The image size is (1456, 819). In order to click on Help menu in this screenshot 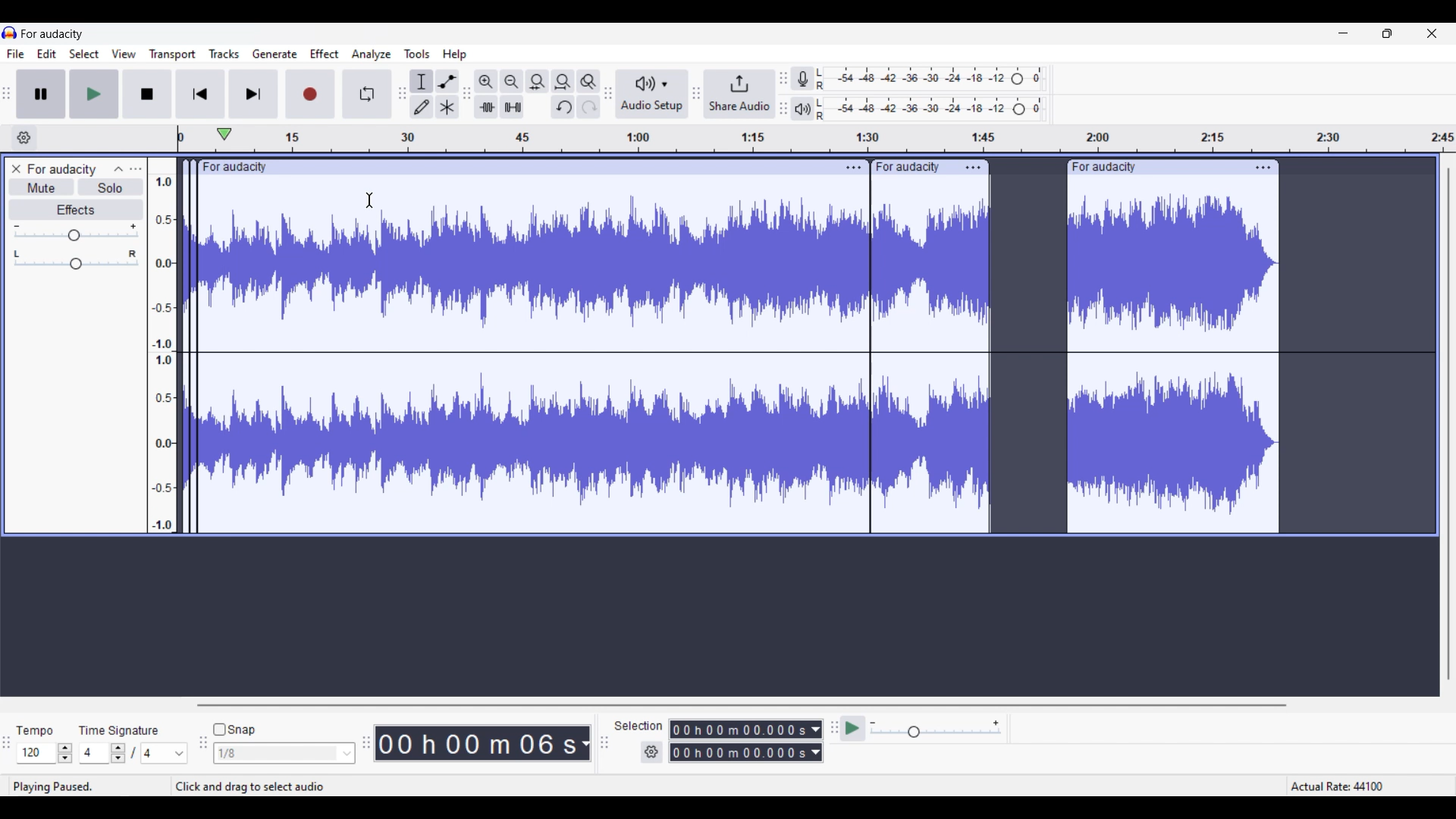, I will do `click(455, 55)`.